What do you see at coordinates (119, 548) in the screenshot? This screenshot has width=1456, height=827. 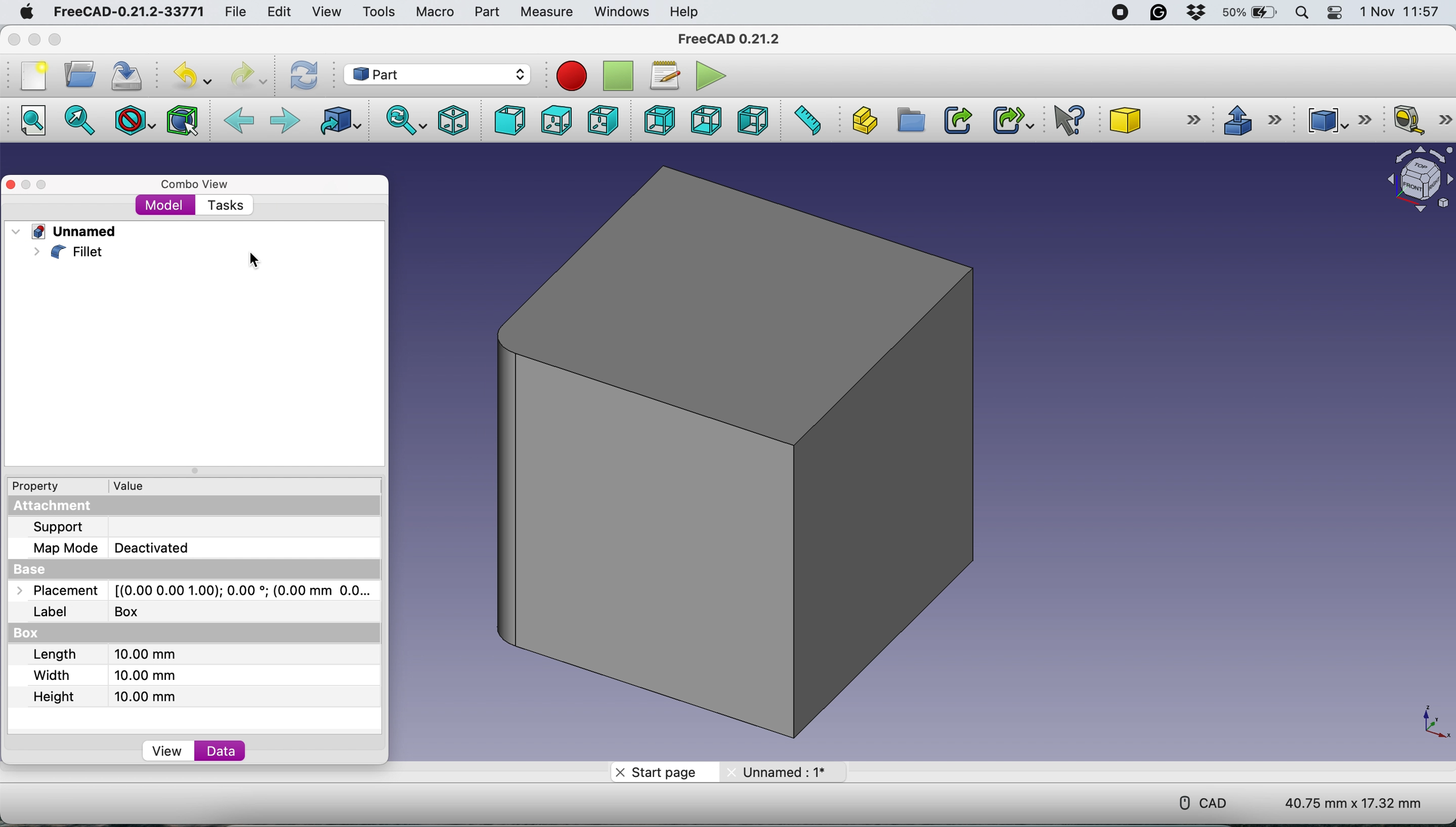 I see `map mode` at bounding box center [119, 548].